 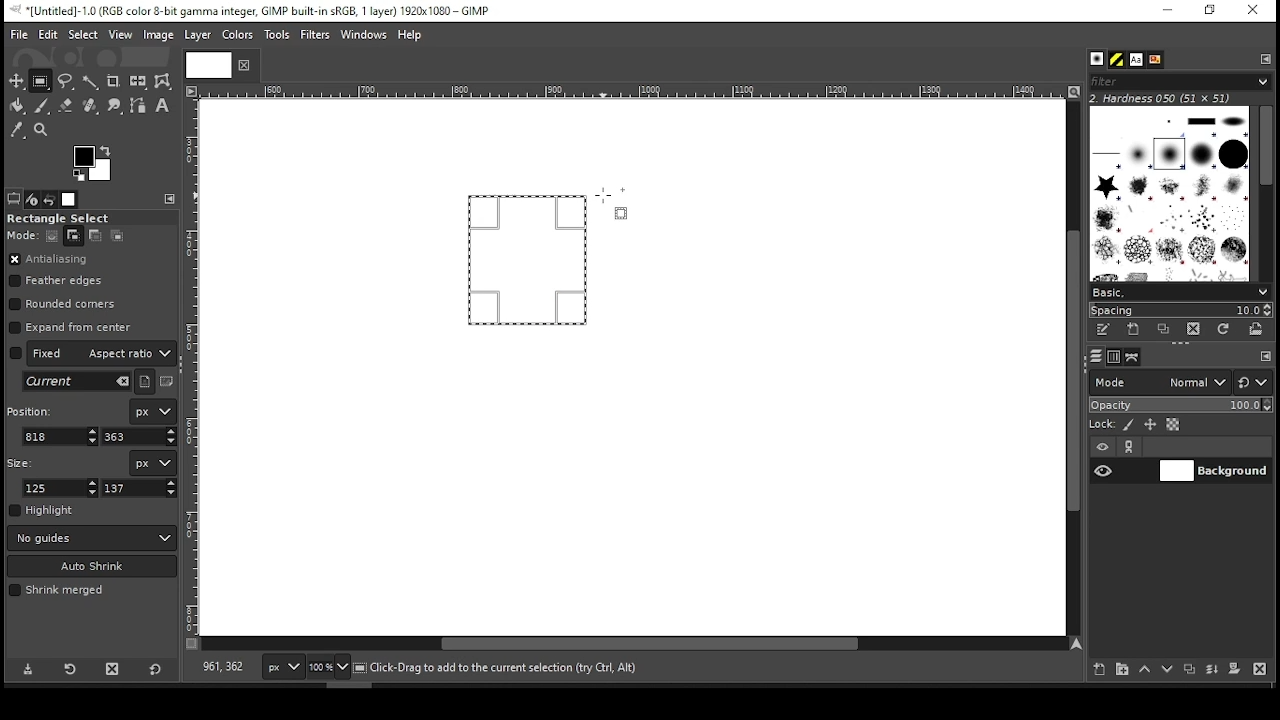 What do you see at coordinates (82, 33) in the screenshot?
I see `select` at bounding box center [82, 33].